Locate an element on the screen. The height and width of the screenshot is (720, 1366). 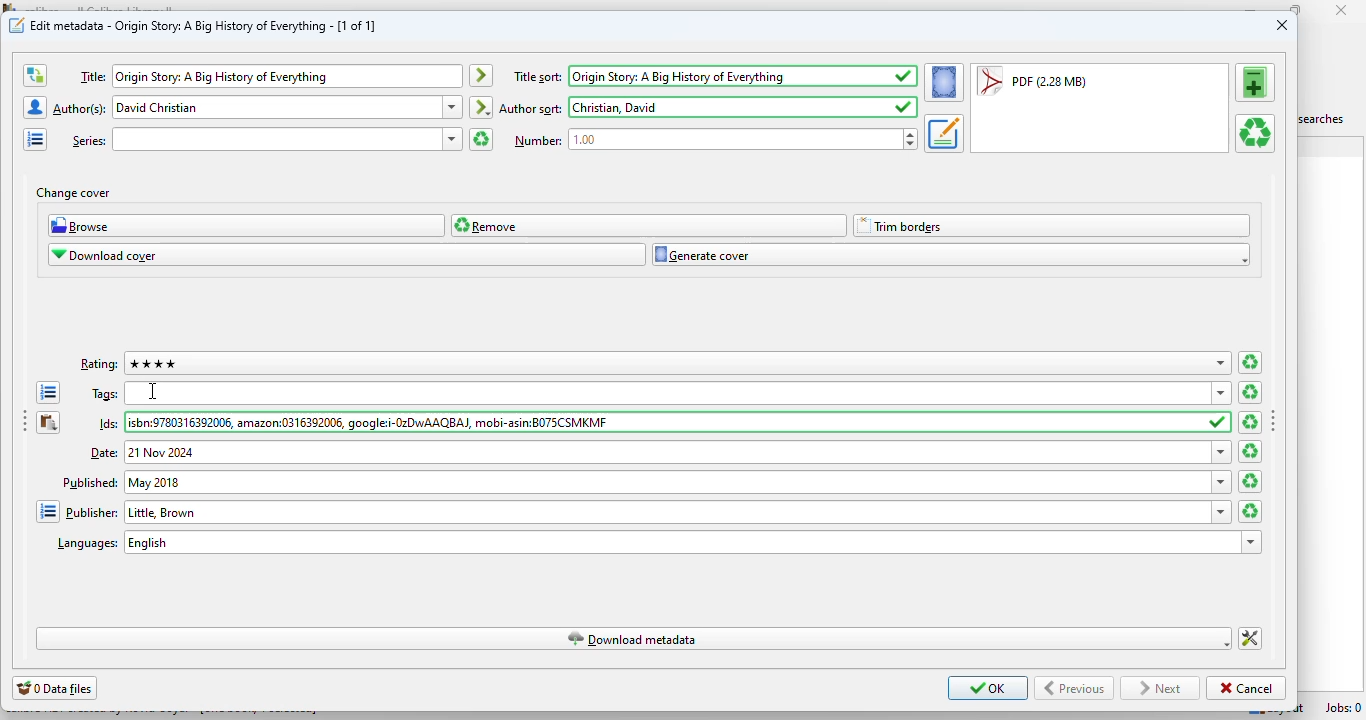
next is located at coordinates (1159, 689).